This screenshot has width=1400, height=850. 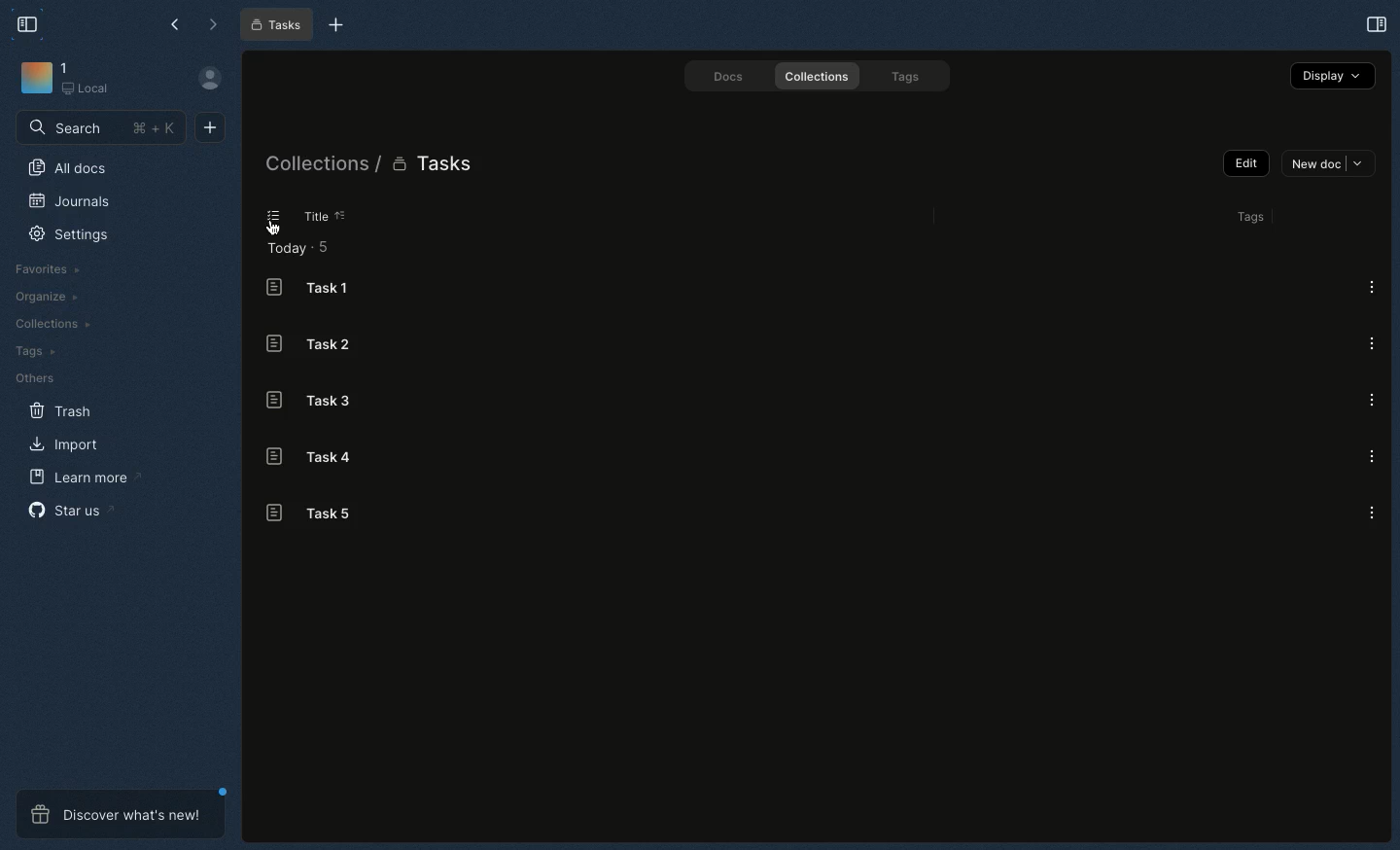 I want to click on List view, so click(x=261, y=218).